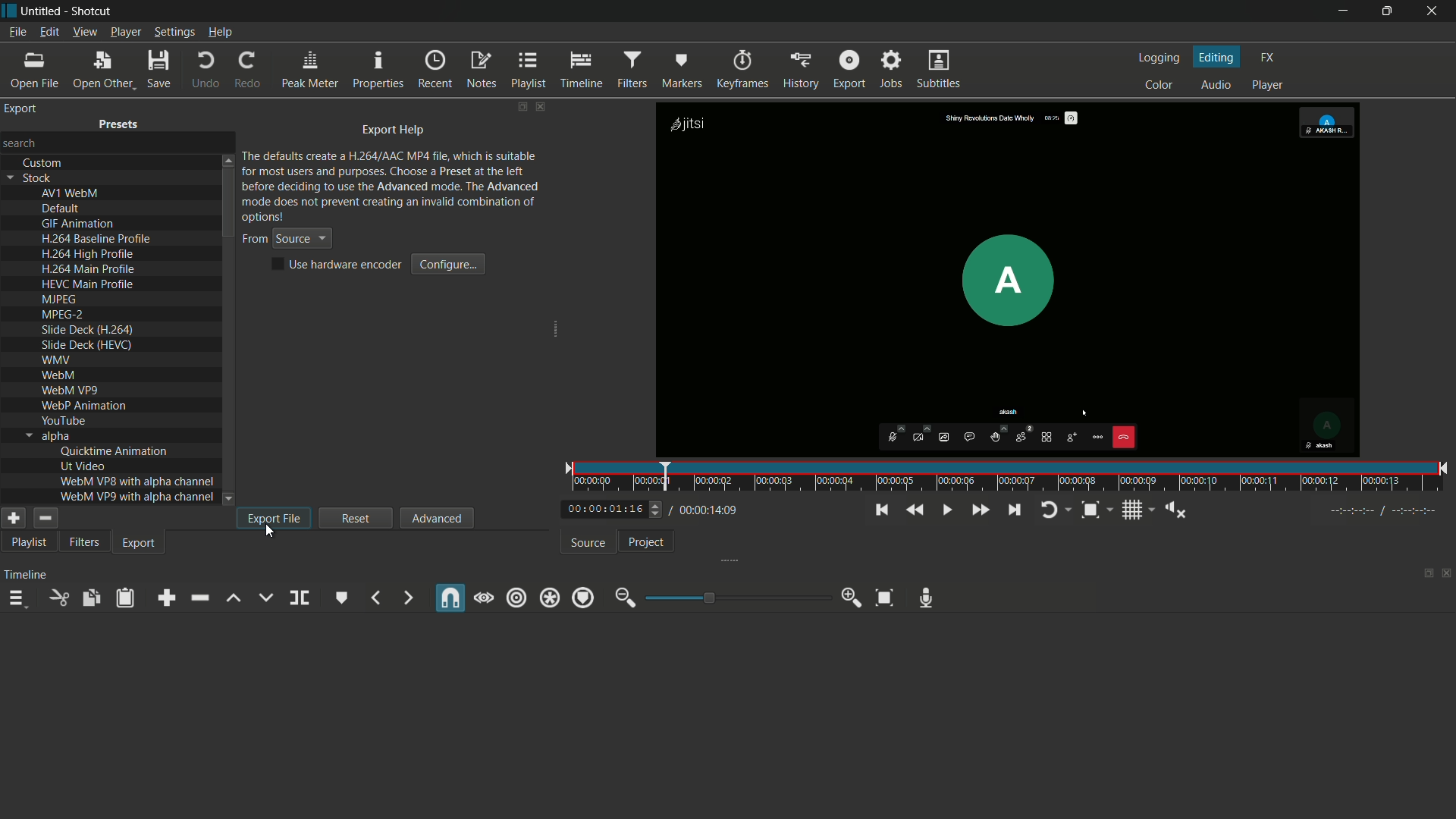 This screenshot has height=819, width=1456. Describe the element at coordinates (71, 390) in the screenshot. I see `text` at that location.